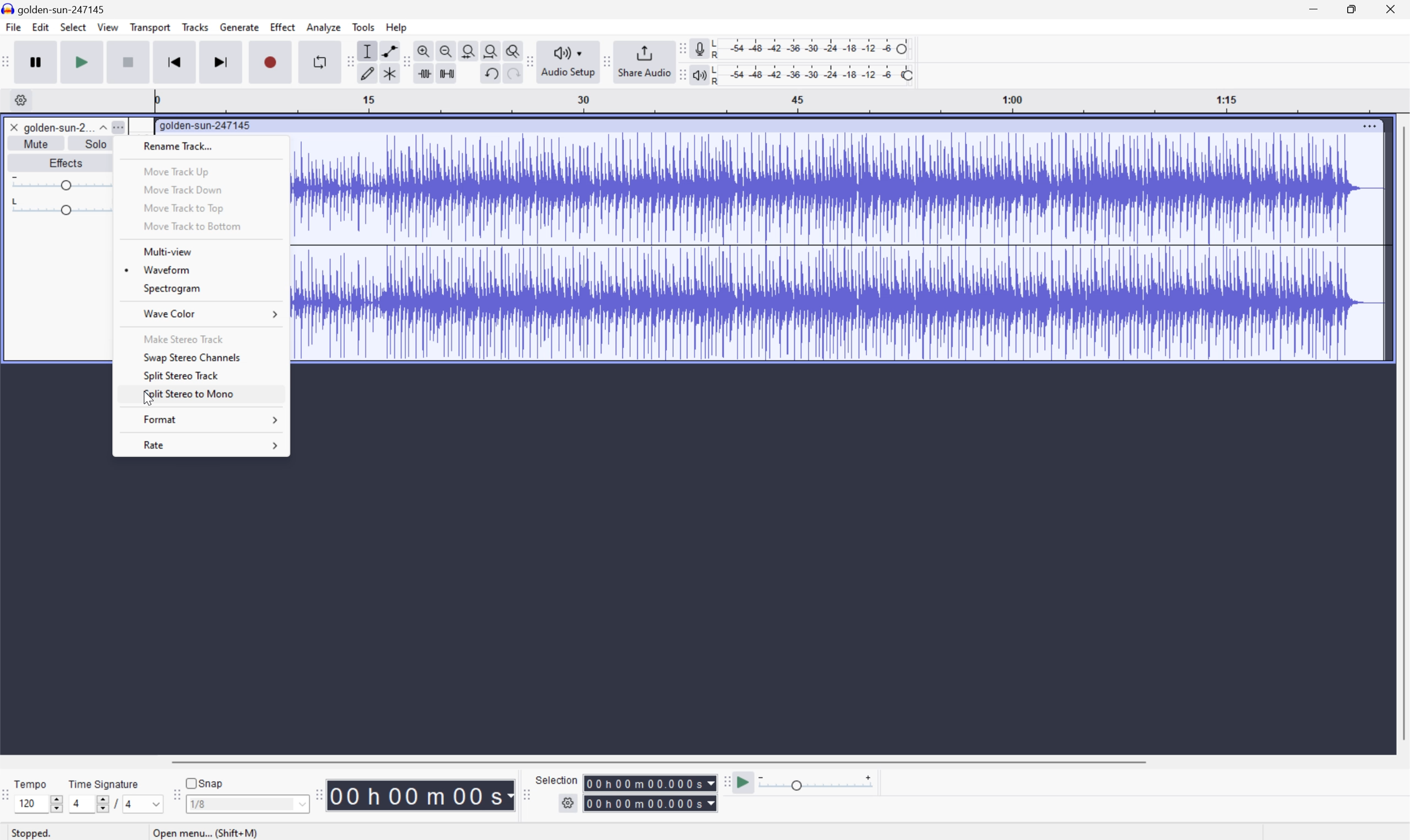 The width and height of the screenshot is (1410, 840). I want to click on Solo, so click(97, 144).